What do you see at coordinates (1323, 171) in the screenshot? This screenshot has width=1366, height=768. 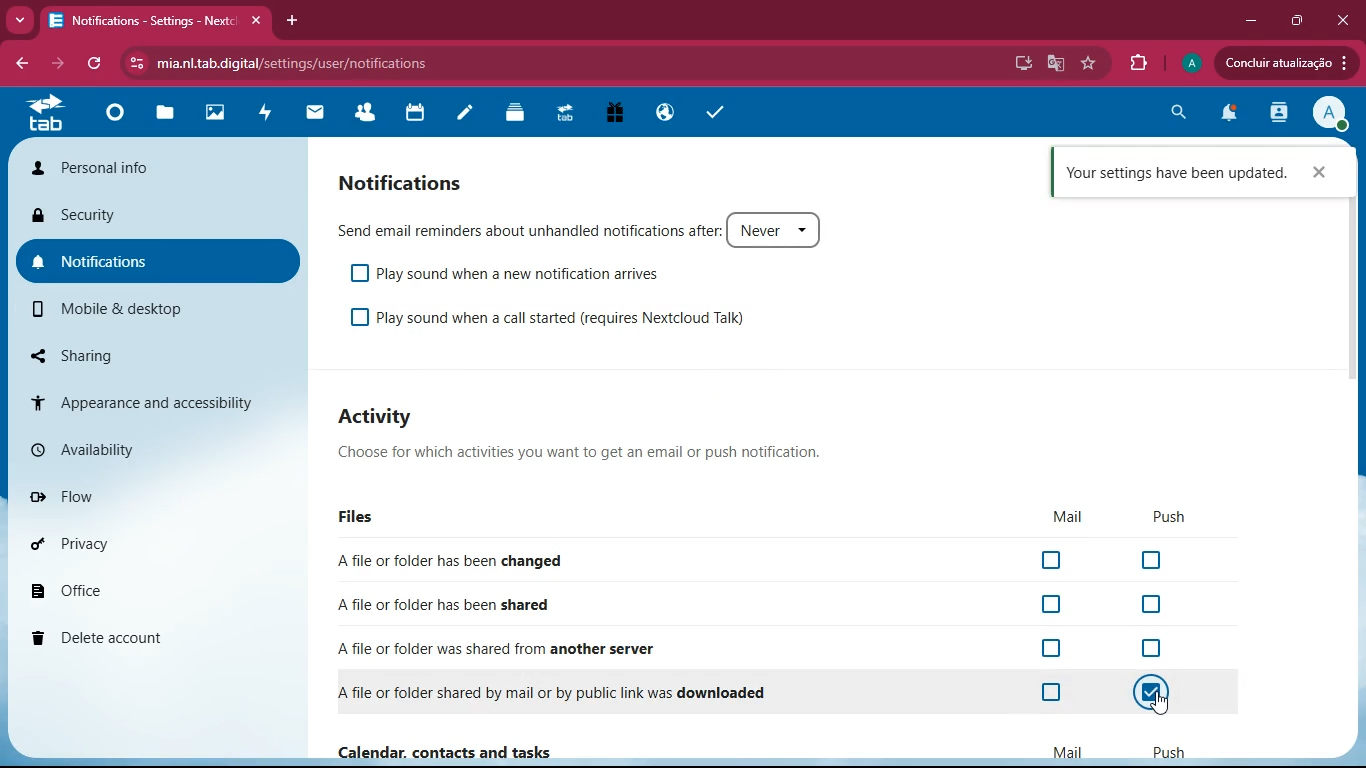 I see `close` at bounding box center [1323, 171].